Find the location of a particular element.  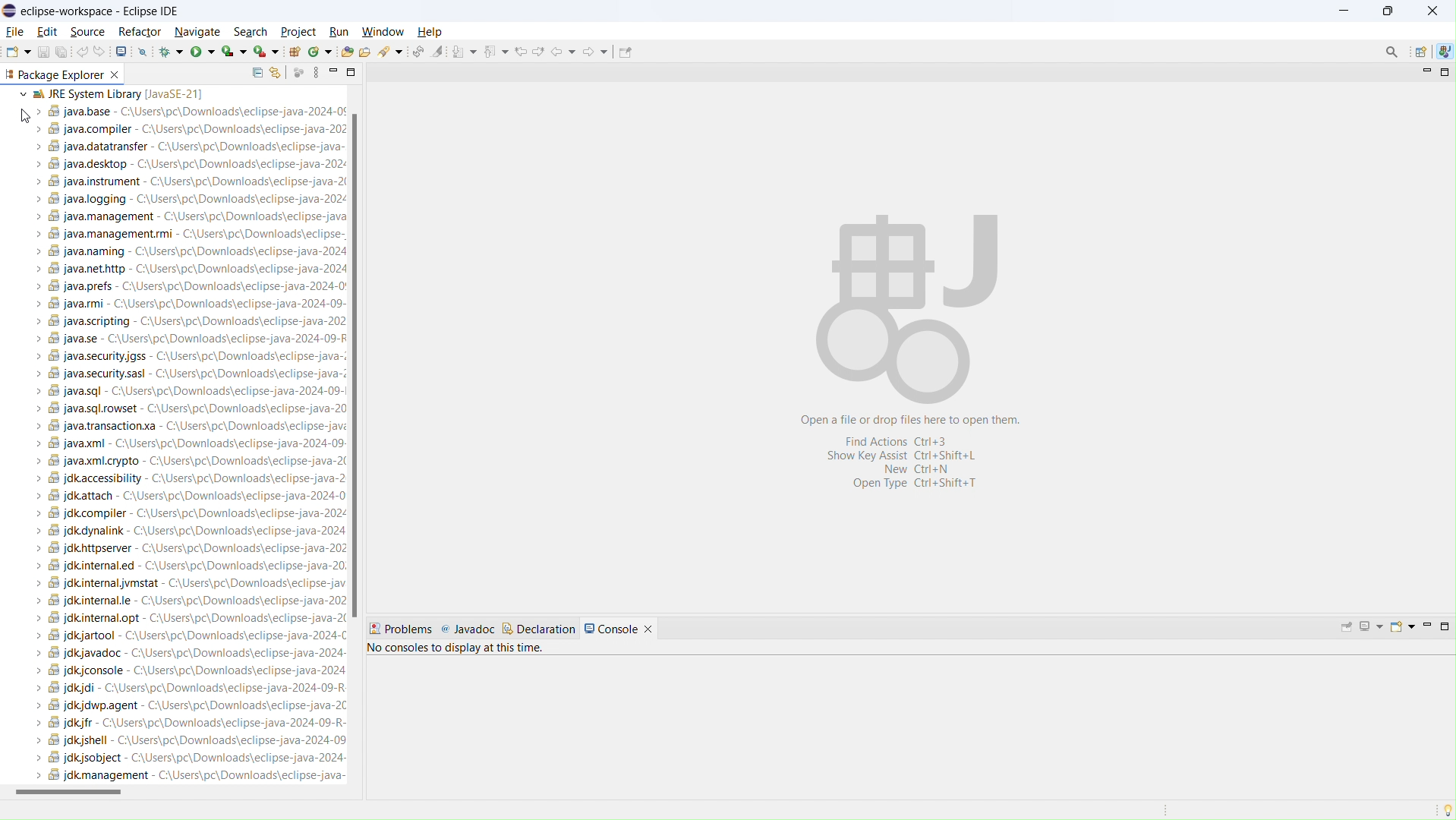

forward is located at coordinates (595, 50).